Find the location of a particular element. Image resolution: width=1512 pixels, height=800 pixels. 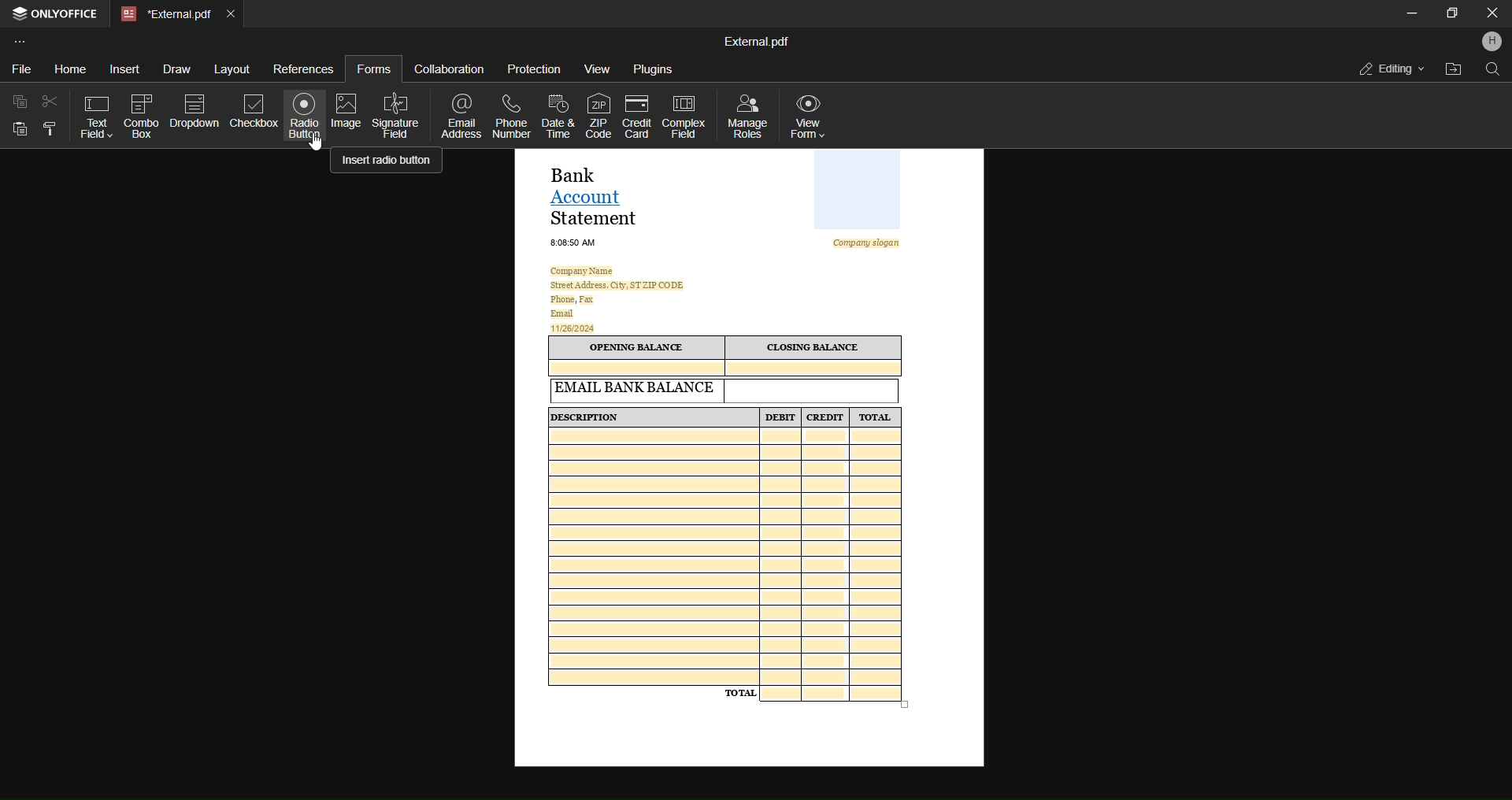

close current tab is located at coordinates (230, 12).